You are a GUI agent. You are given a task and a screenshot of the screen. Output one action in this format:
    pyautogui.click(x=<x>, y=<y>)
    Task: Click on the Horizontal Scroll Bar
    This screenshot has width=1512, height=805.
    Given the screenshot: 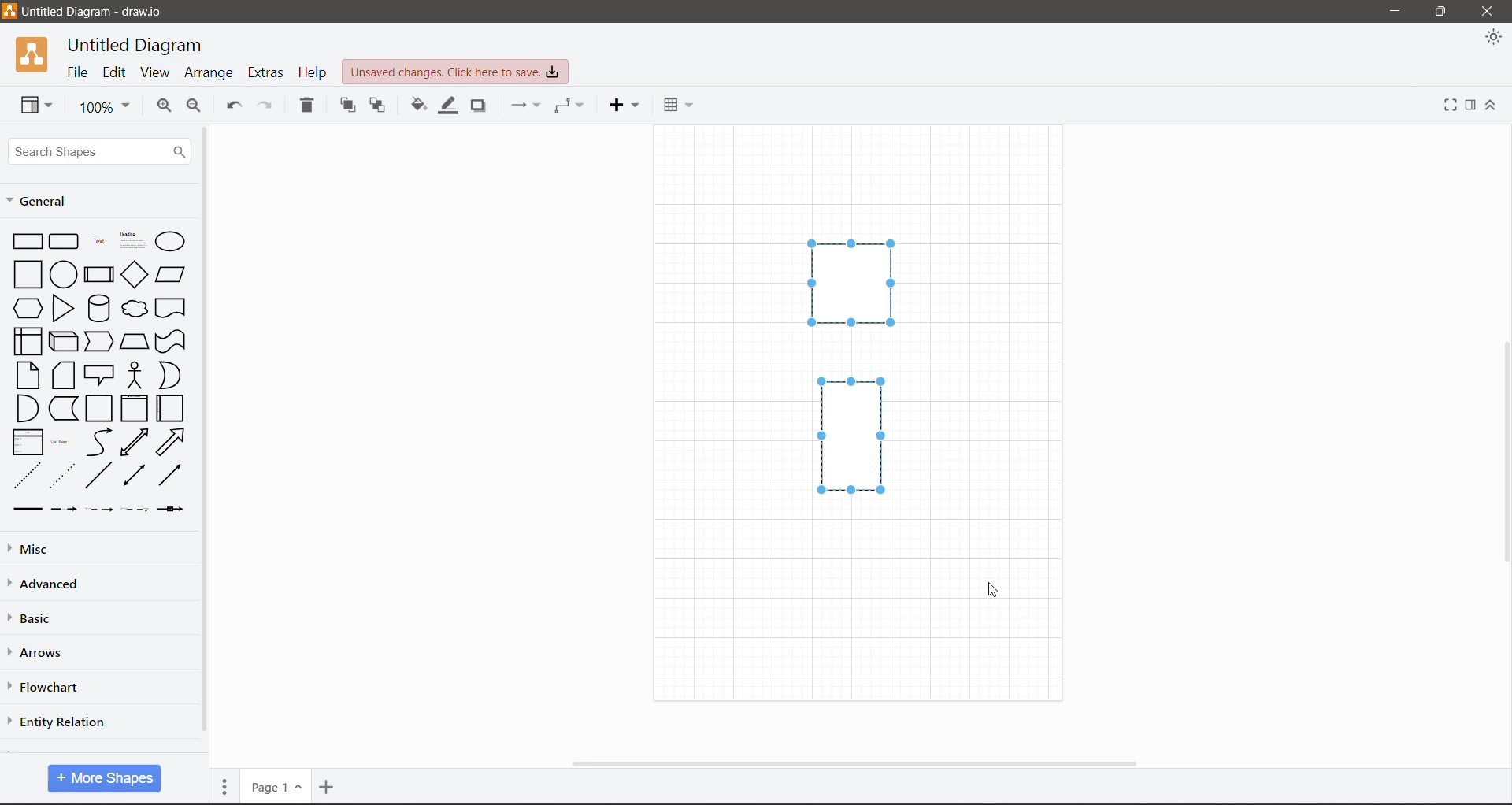 What is the action you would take?
    pyautogui.click(x=861, y=764)
    